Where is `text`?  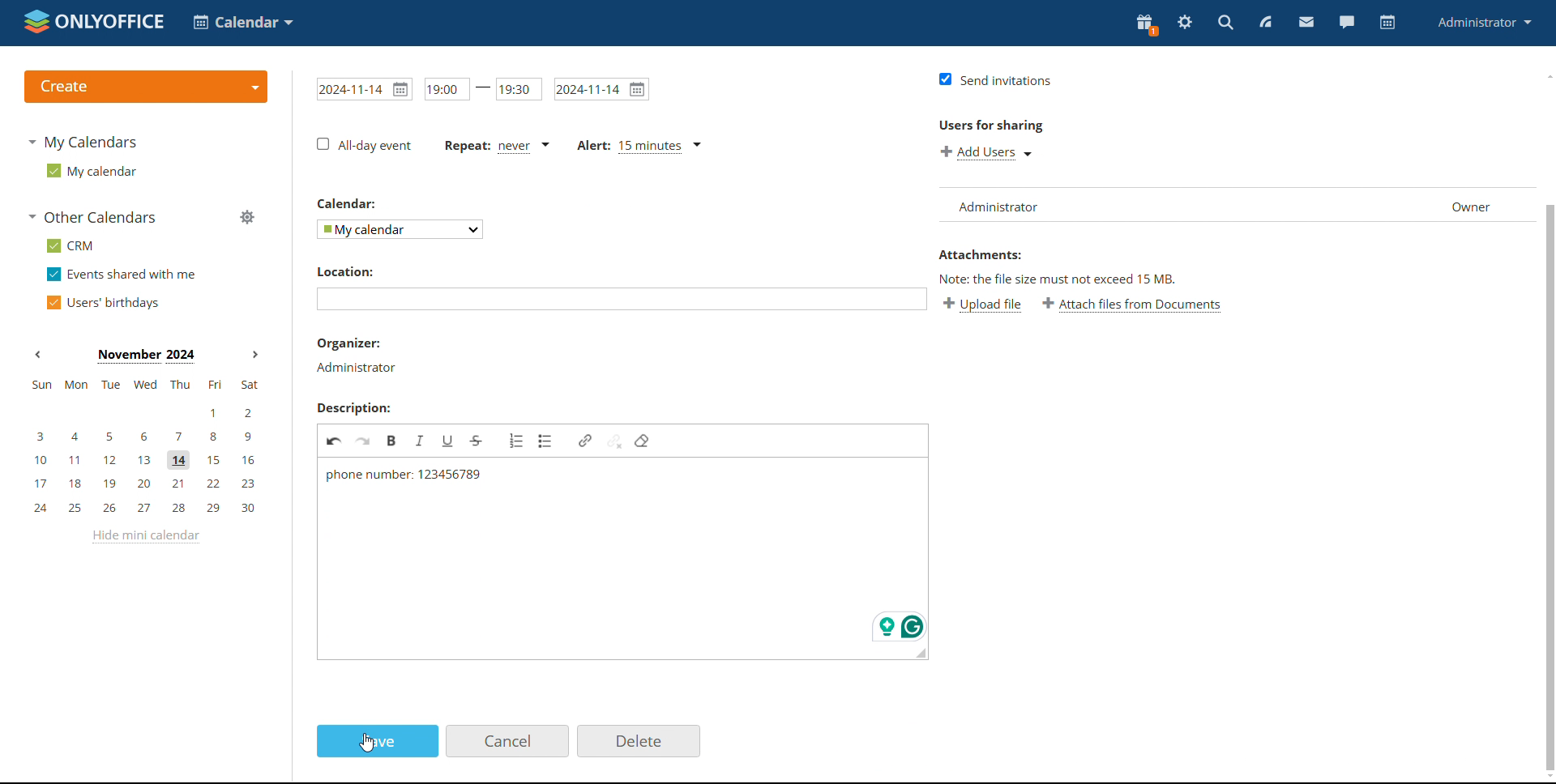
text is located at coordinates (404, 475).